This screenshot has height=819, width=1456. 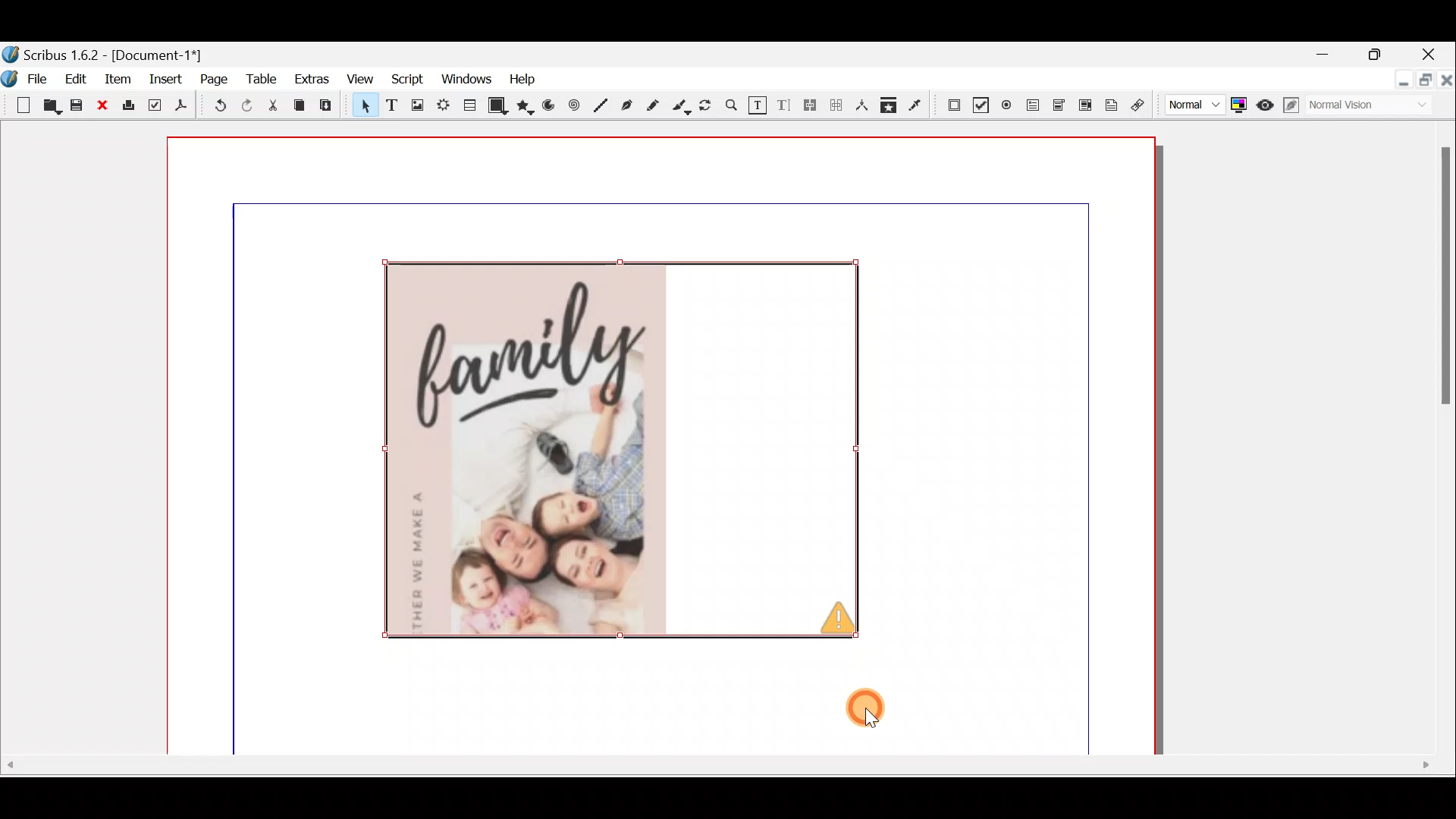 I want to click on Table, so click(x=261, y=77).